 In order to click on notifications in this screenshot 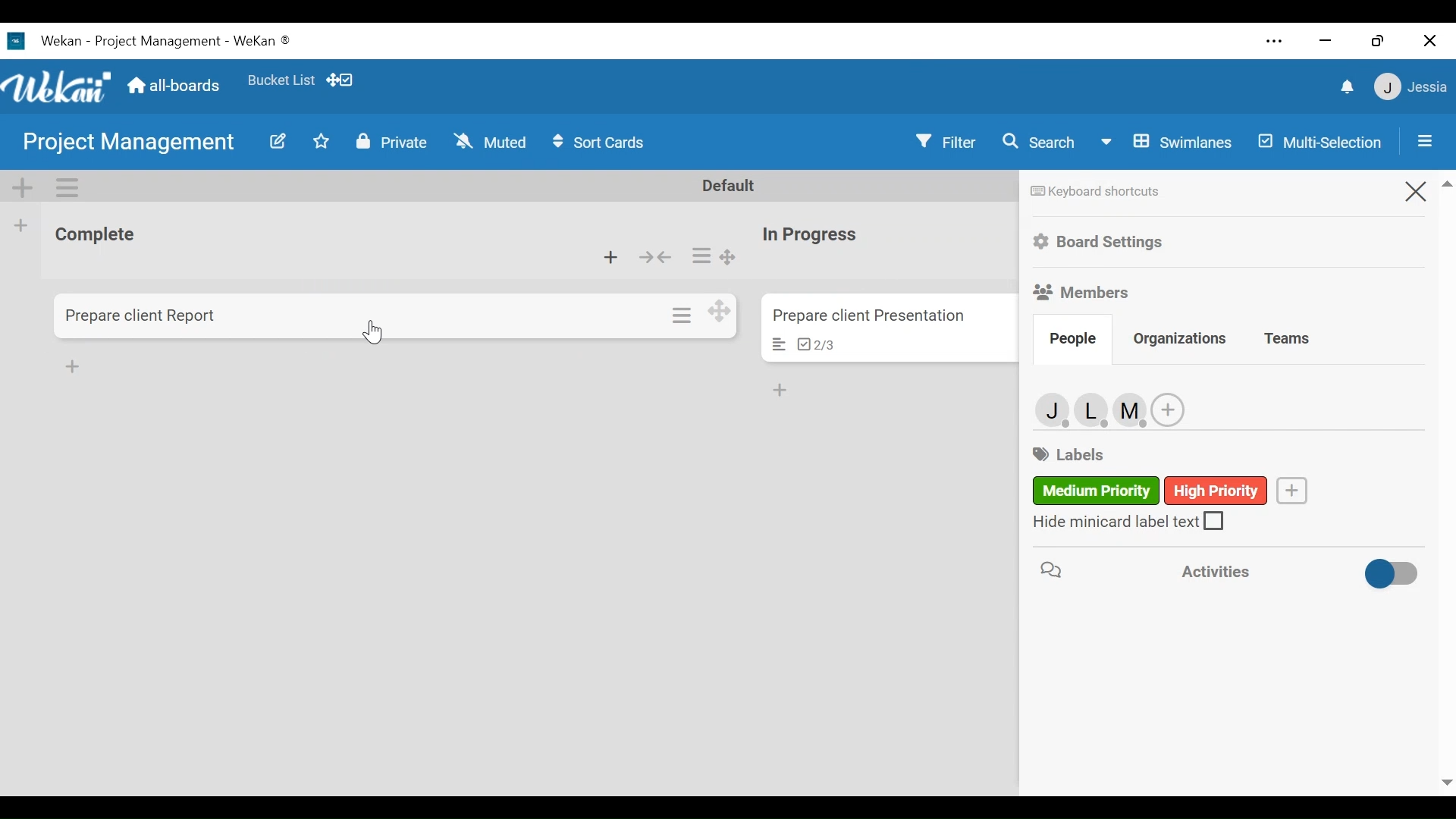, I will do `click(1348, 88)`.